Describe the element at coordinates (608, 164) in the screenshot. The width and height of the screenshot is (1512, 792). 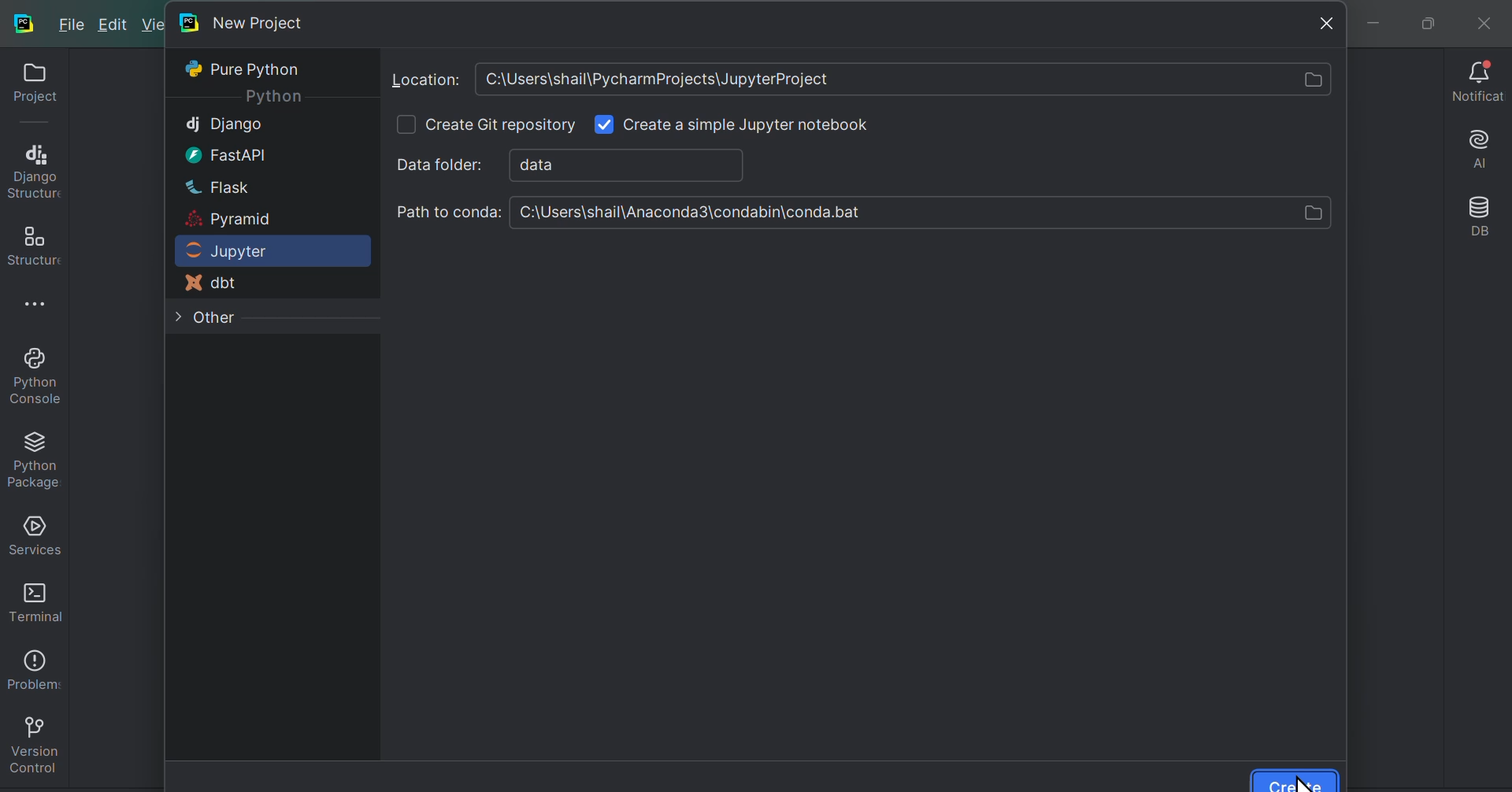
I see `Data folder` at that location.